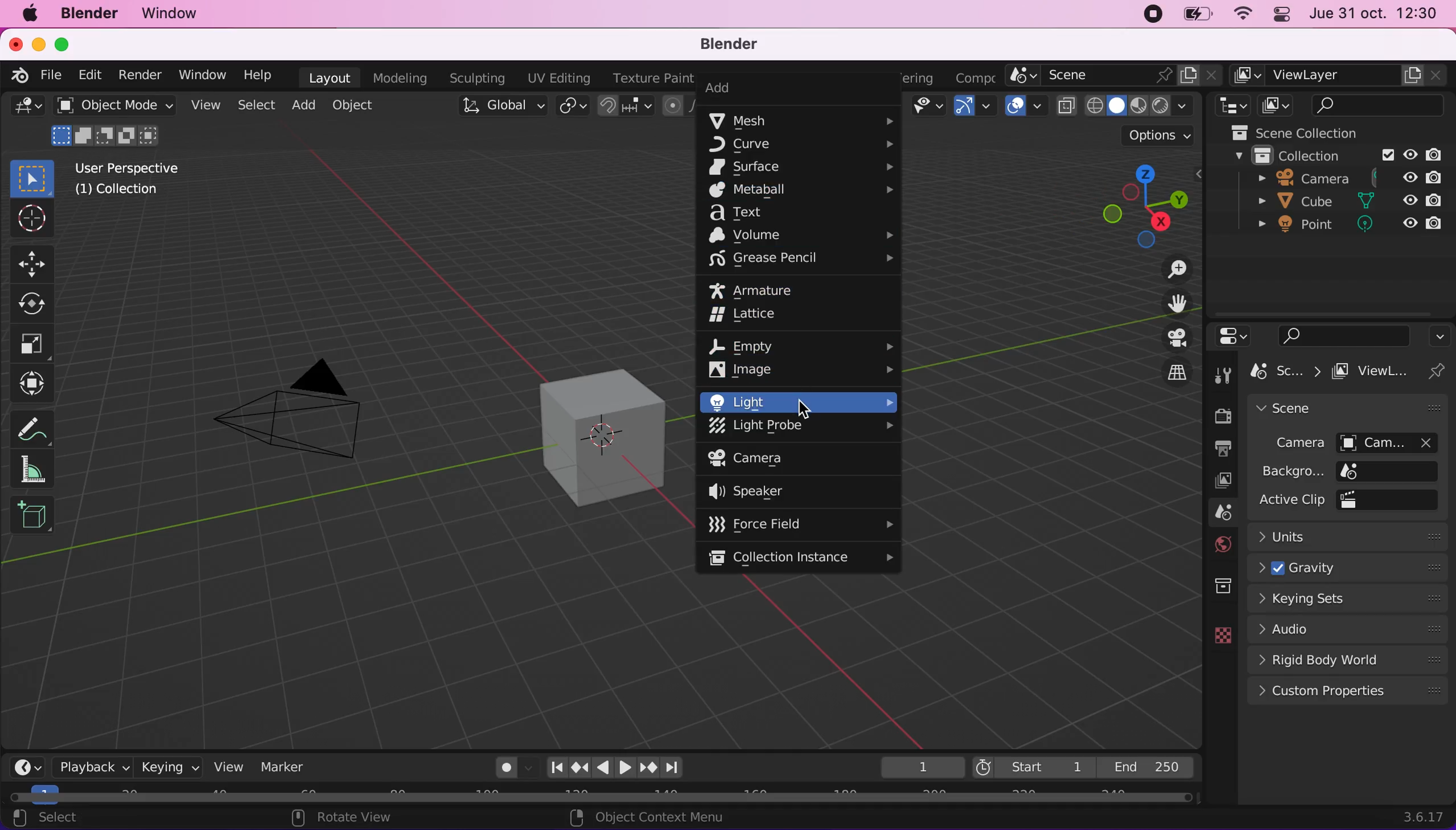 The image size is (1456, 830). Describe the element at coordinates (1221, 583) in the screenshot. I see `collection` at that location.